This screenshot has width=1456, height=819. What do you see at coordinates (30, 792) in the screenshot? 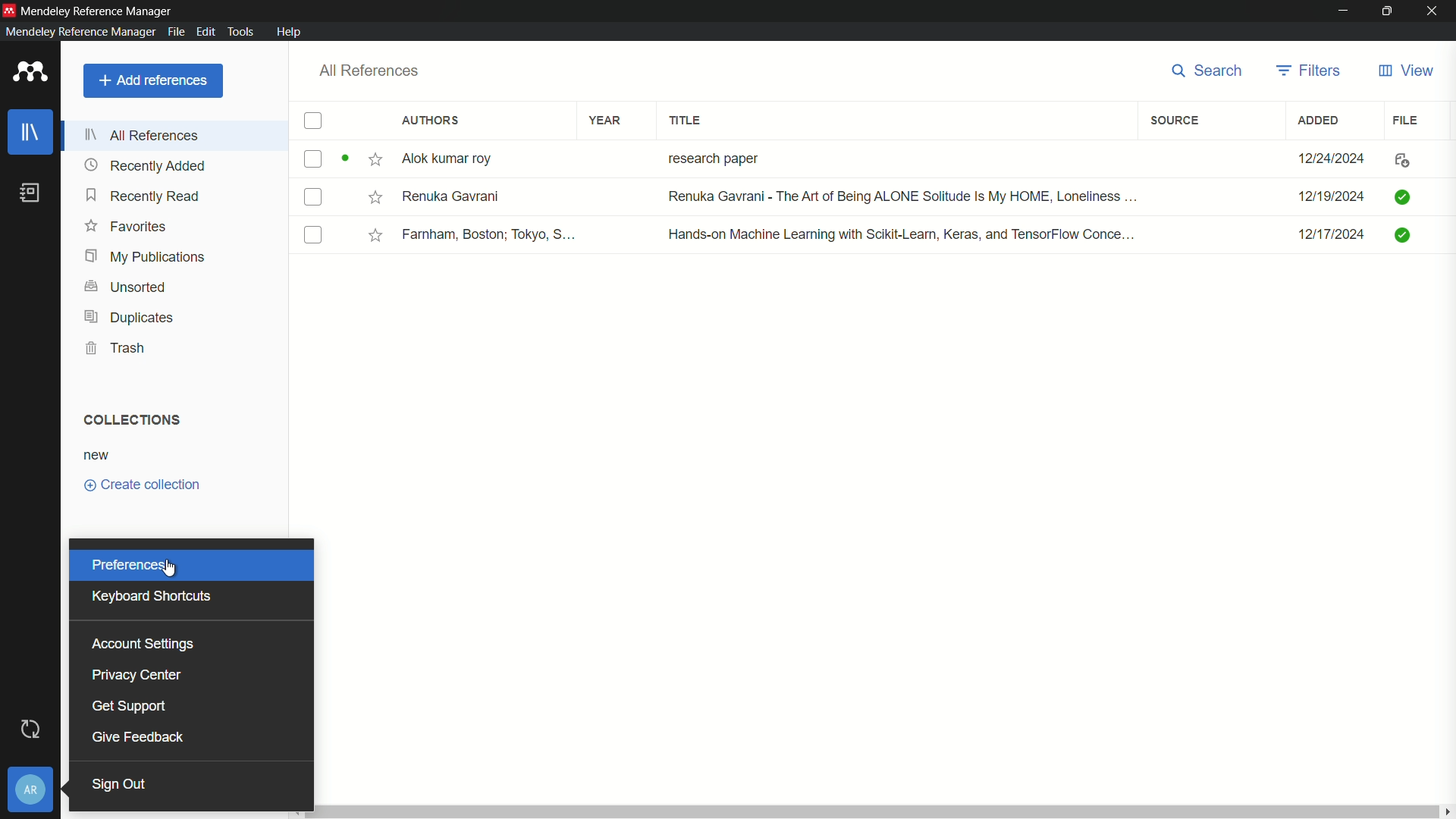
I see `account and help` at bounding box center [30, 792].